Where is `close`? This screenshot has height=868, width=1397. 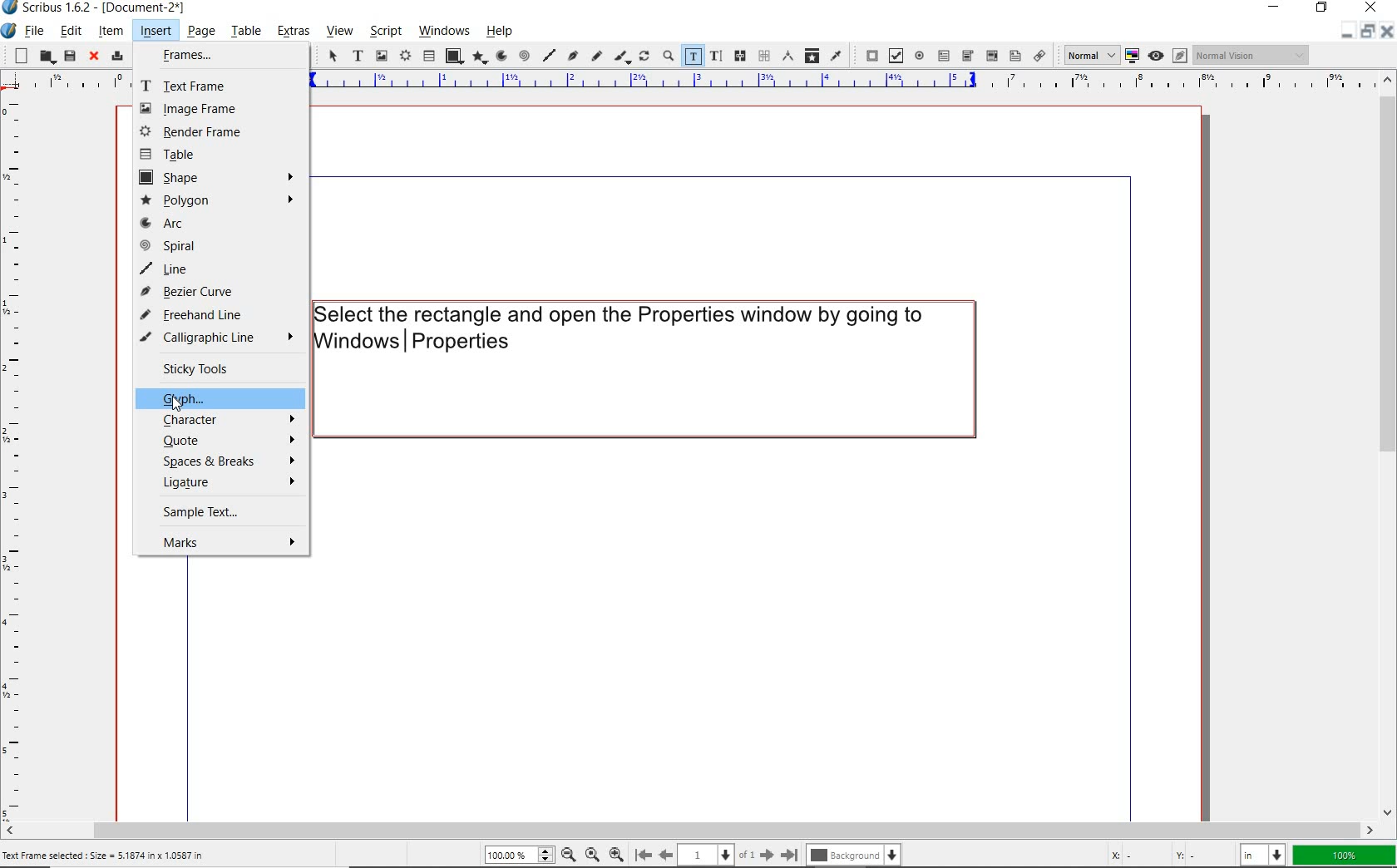 close is located at coordinates (94, 57).